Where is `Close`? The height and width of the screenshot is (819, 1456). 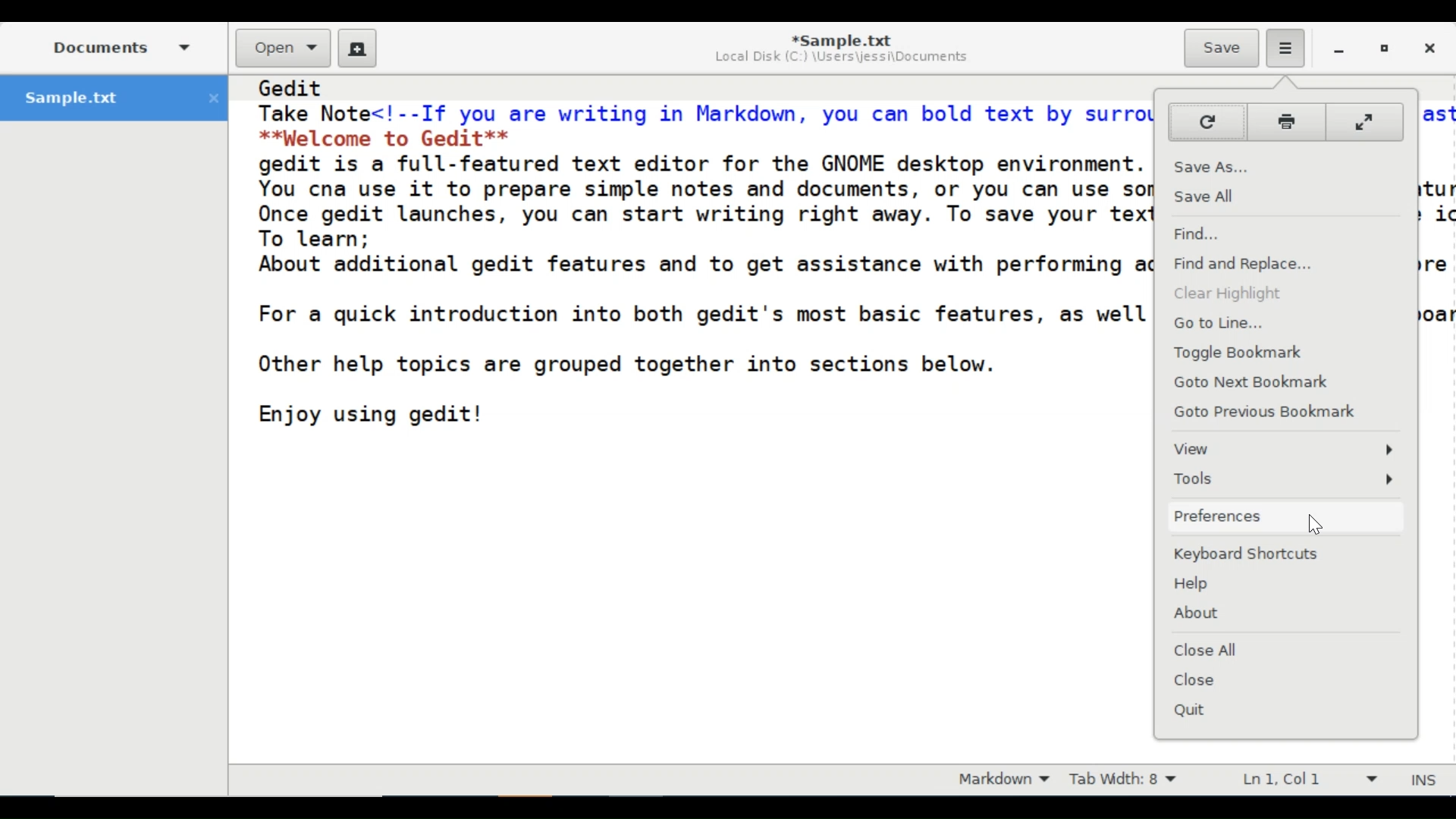 Close is located at coordinates (1198, 679).